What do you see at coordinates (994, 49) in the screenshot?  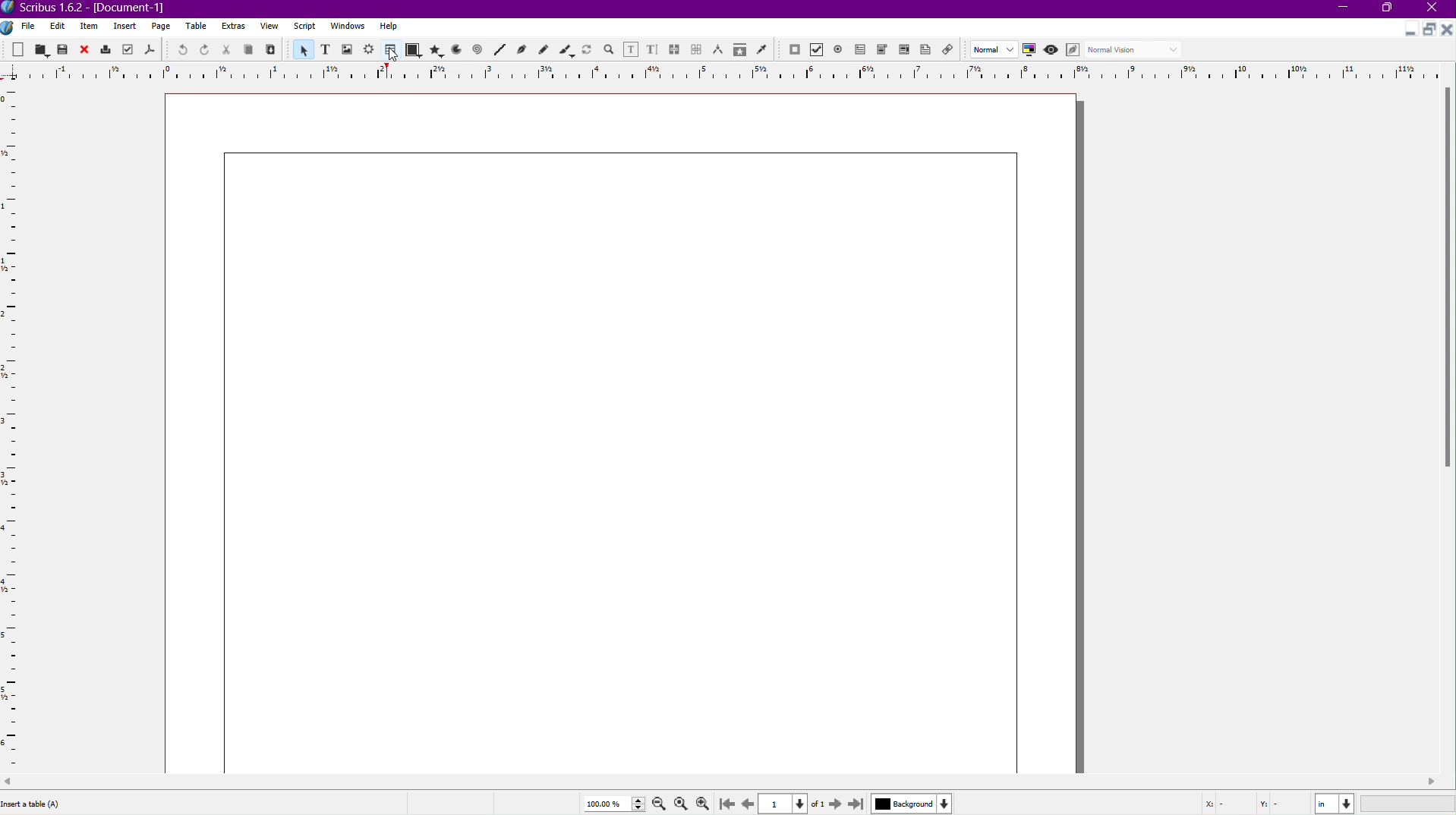 I see `Image Preview Quality` at bounding box center [994, 49].